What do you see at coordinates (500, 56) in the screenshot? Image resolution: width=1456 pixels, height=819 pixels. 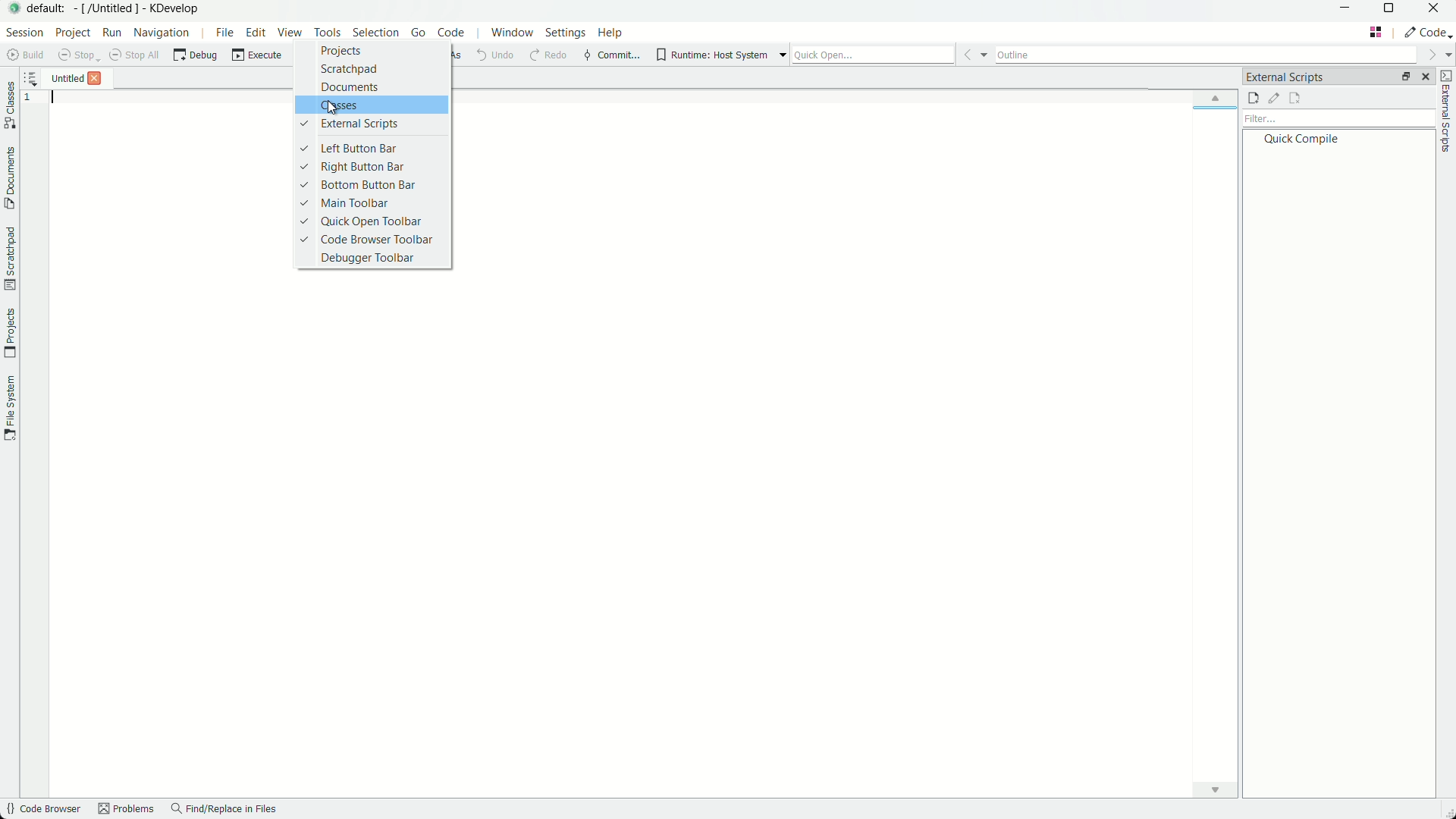 I see `undo` at bounding box center [500, 56].